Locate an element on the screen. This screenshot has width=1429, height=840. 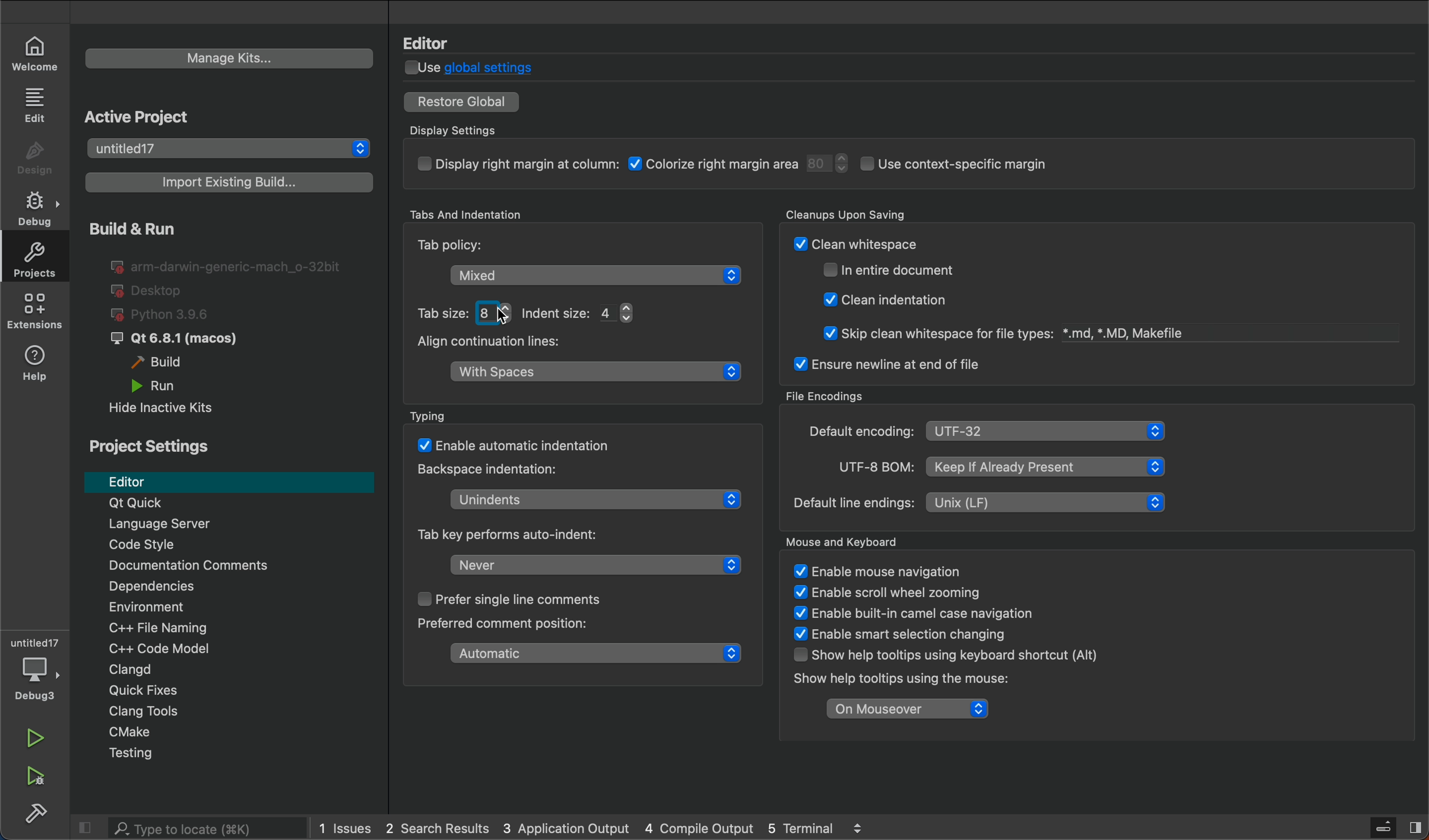
python  is located at coordinates (173, 313).